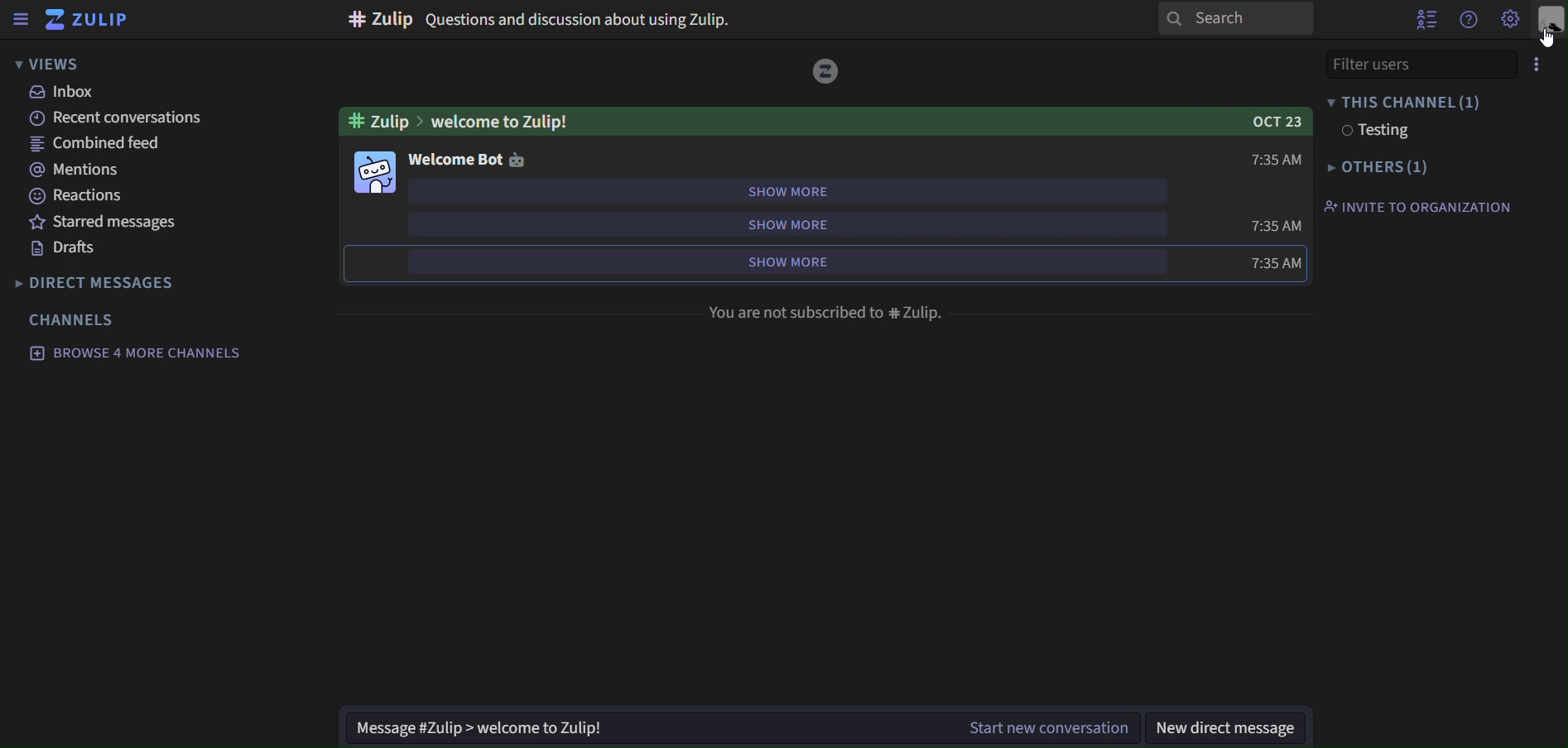  What do you see at coordinates (71, 171) in the screenshot?
I see `mentions` at bounding box center [71, 171].